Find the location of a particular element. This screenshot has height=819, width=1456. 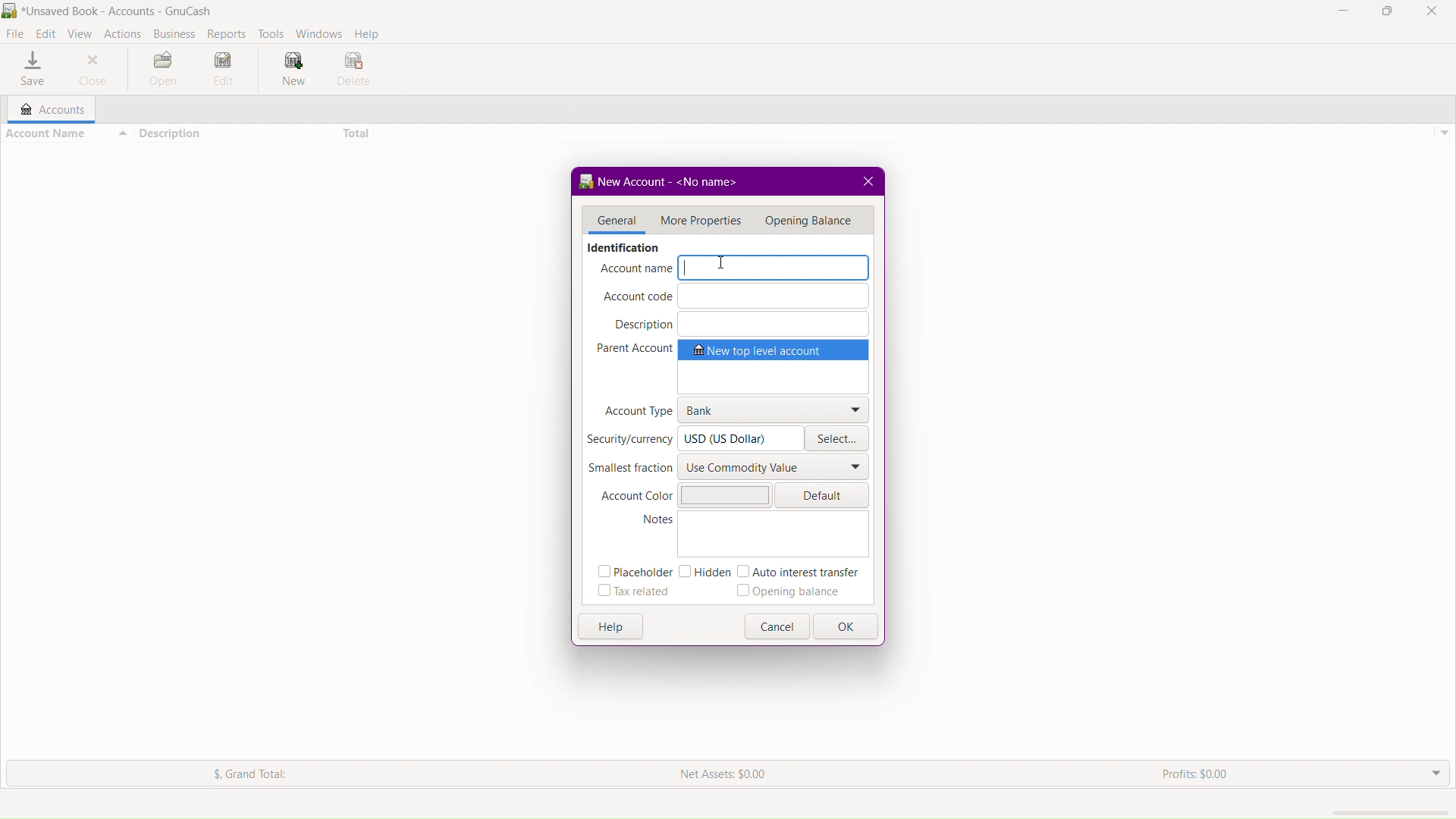

Opening balance is located at coordinates (794, 592).